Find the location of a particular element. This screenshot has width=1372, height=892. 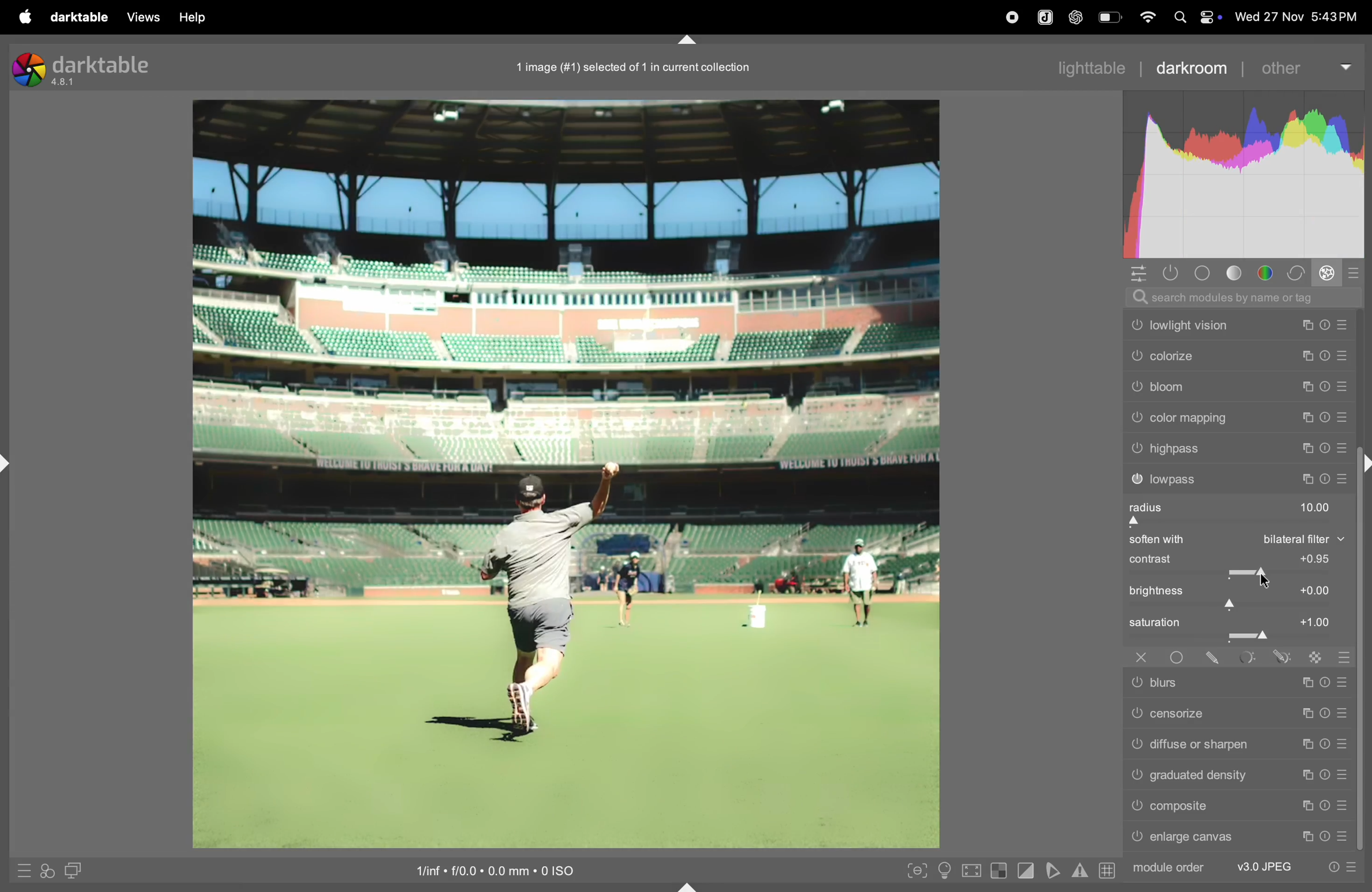

radius is located at coordinates (1232, 512).